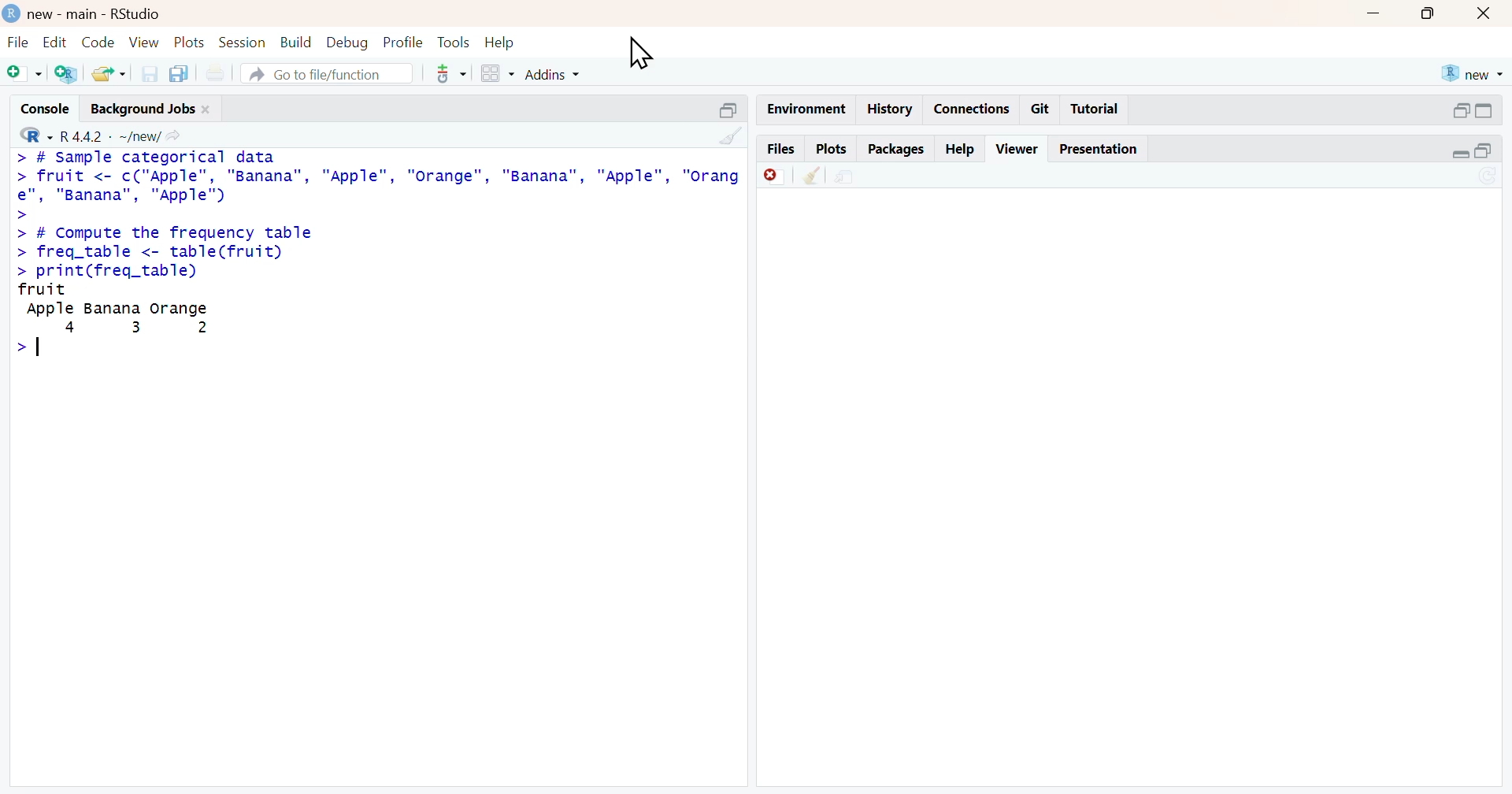 The height and width of the screenshot is (794, 1512). I want to click on new - main - RStudio, so click(83, 14).